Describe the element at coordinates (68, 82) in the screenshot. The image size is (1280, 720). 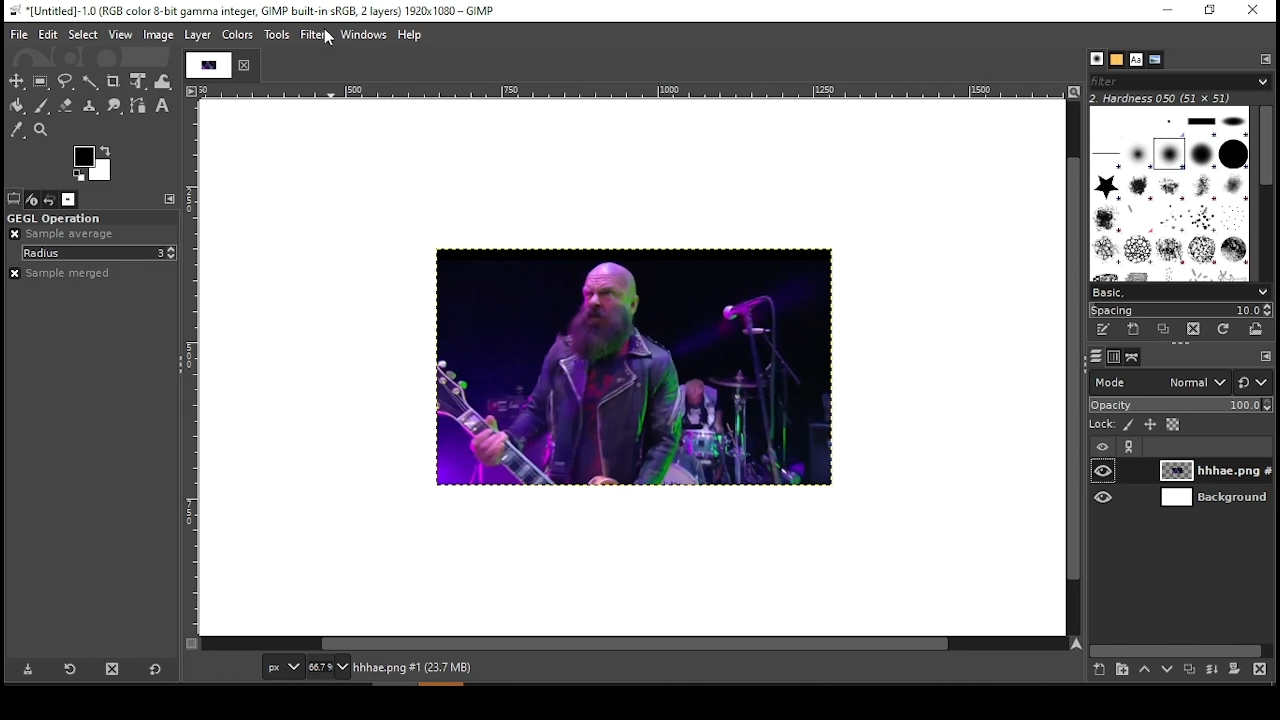
I see `free selection tool` at that location.